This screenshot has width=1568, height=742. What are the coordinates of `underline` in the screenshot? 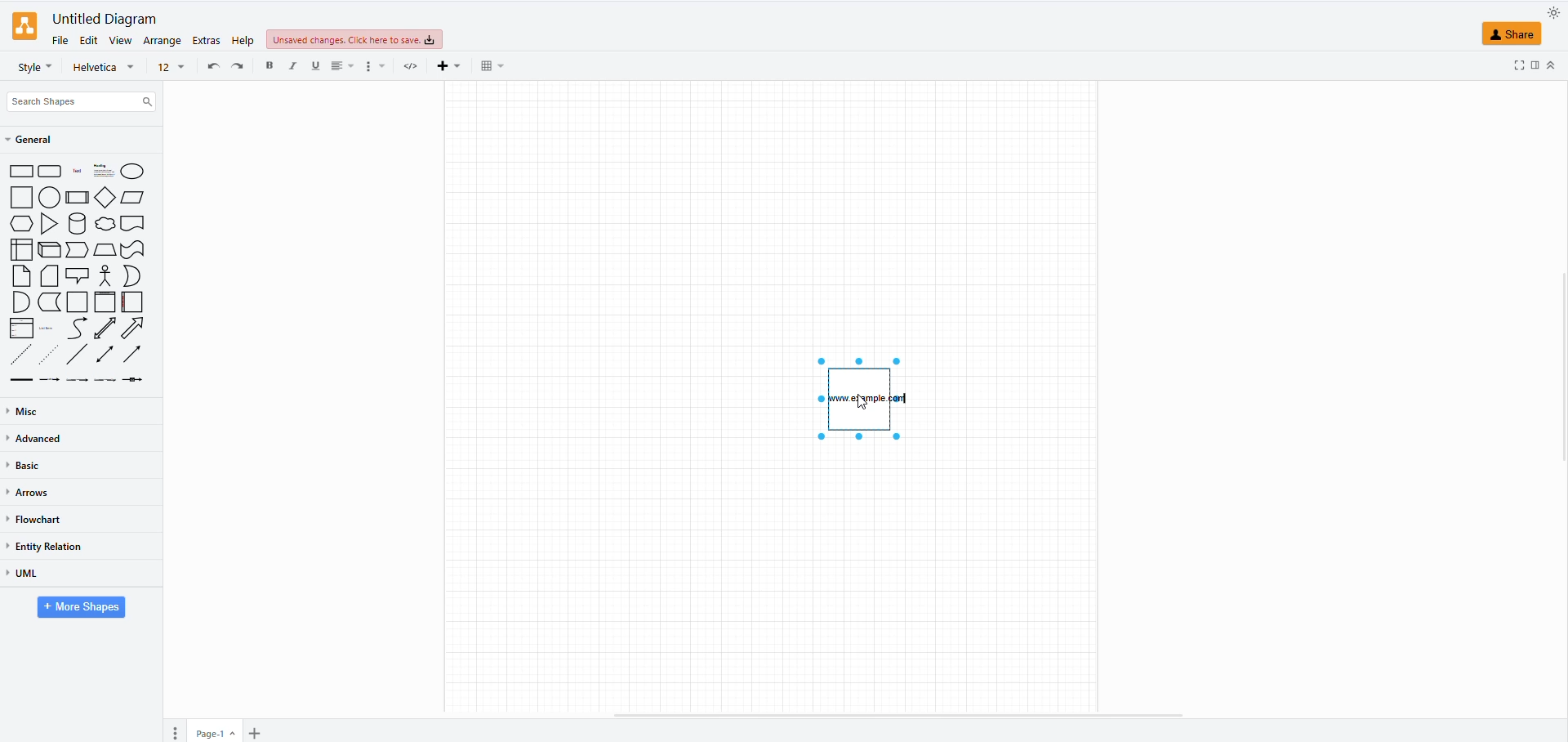 It's located at (316, 66).